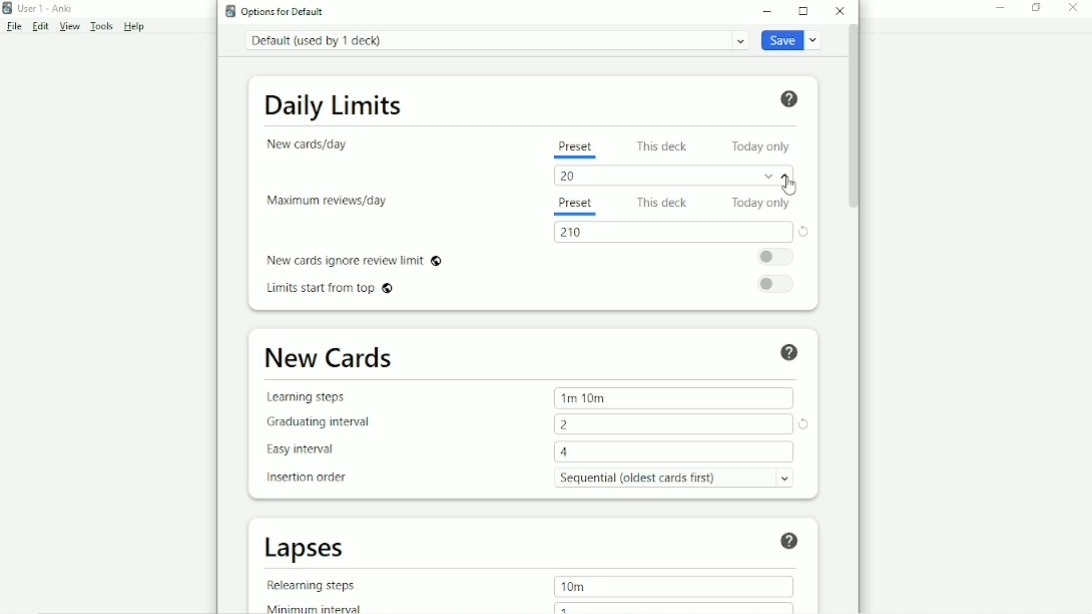 Image resolution: width=1092 pixels, height=614 pixels. I want to click on Today only, so click(760, 147).